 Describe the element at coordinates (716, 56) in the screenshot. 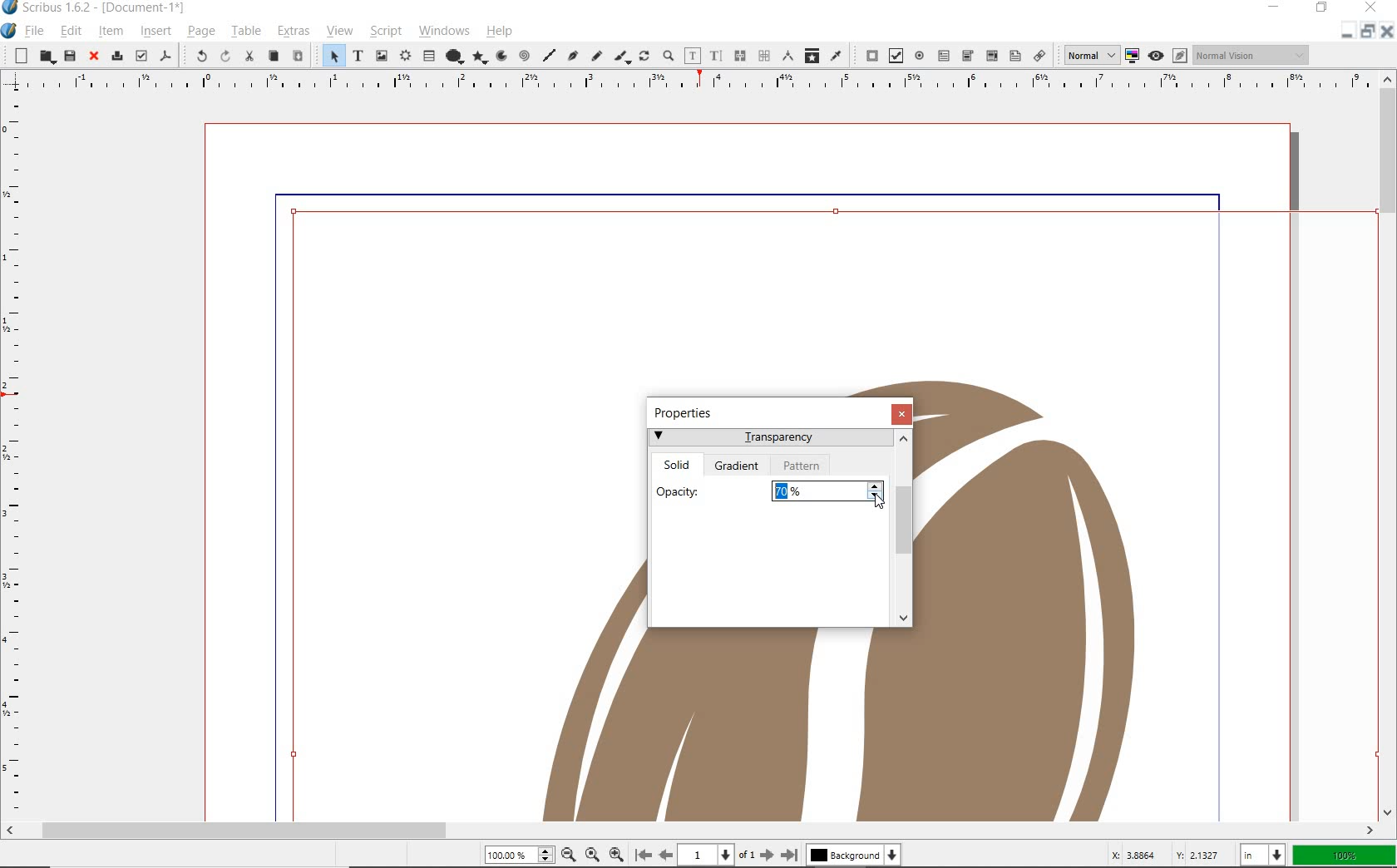

I see `edit text with story editor` at that location.